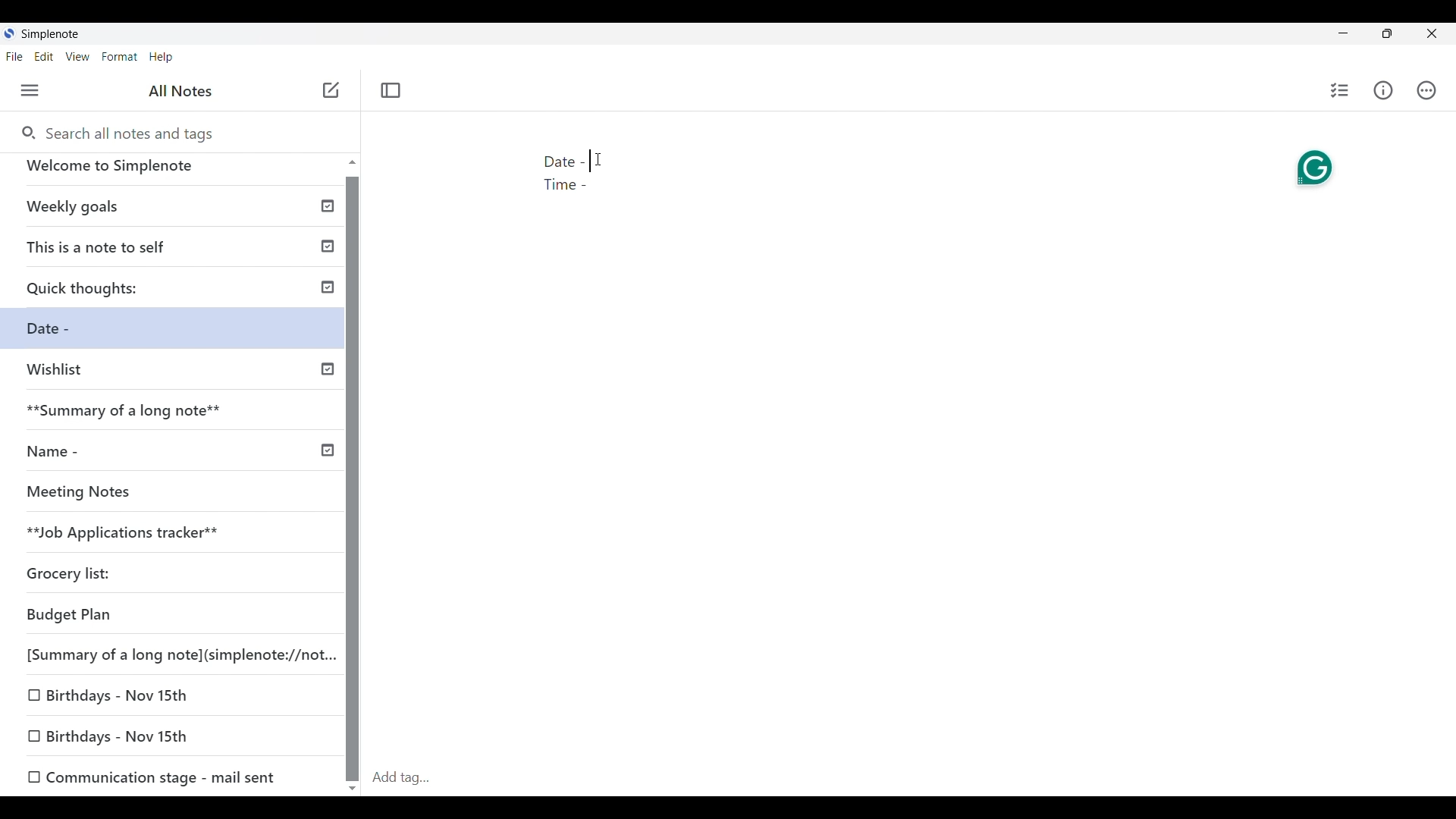 The height and width of the screenshot is (819, 1456). What do you see at coordinates (1432, 33) in the screenshot?
I see `Close interface` at bounding box center [1432, 33].